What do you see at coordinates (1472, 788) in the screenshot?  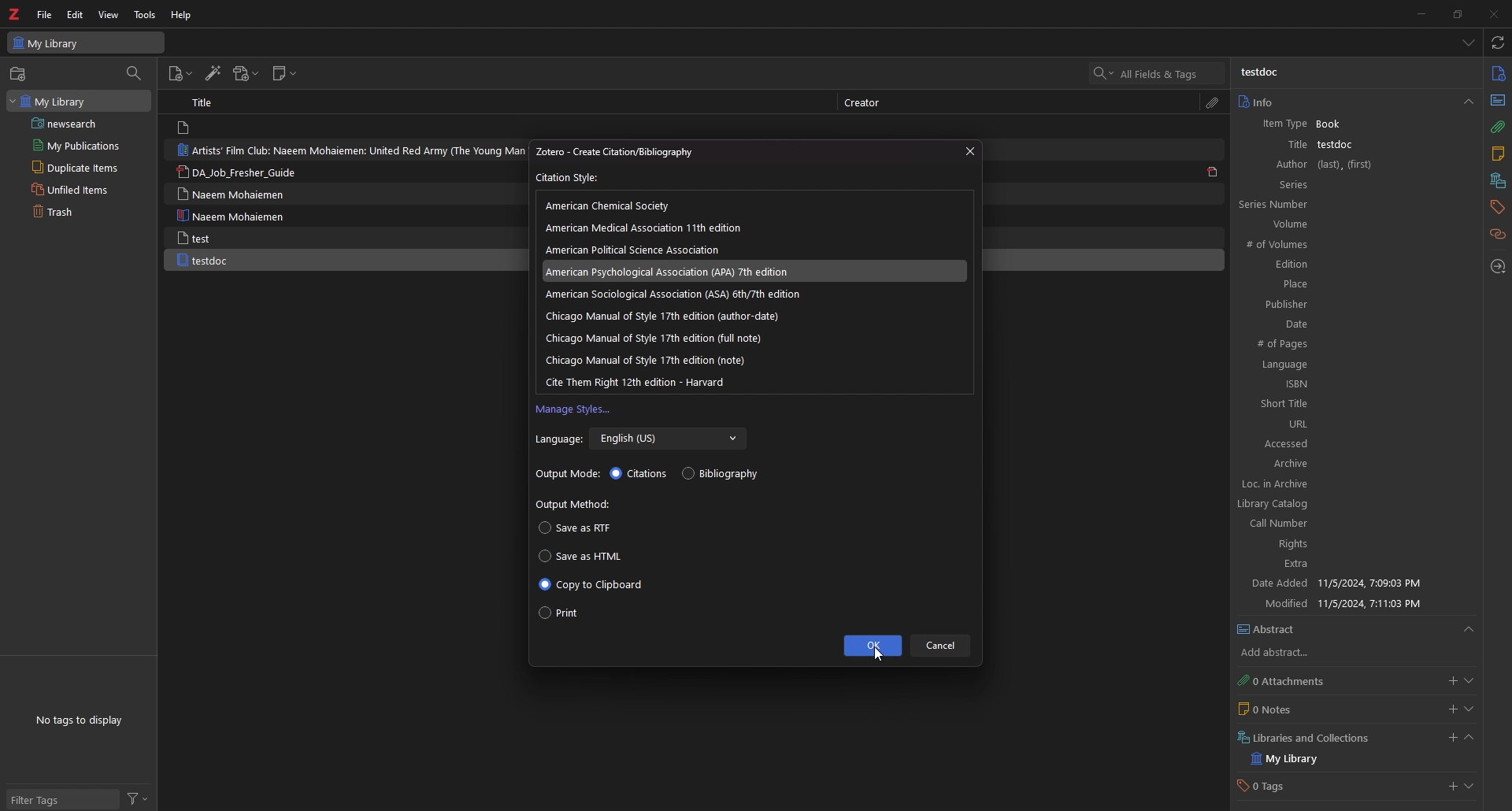 I see `show` at bounding box center [1472, 788].